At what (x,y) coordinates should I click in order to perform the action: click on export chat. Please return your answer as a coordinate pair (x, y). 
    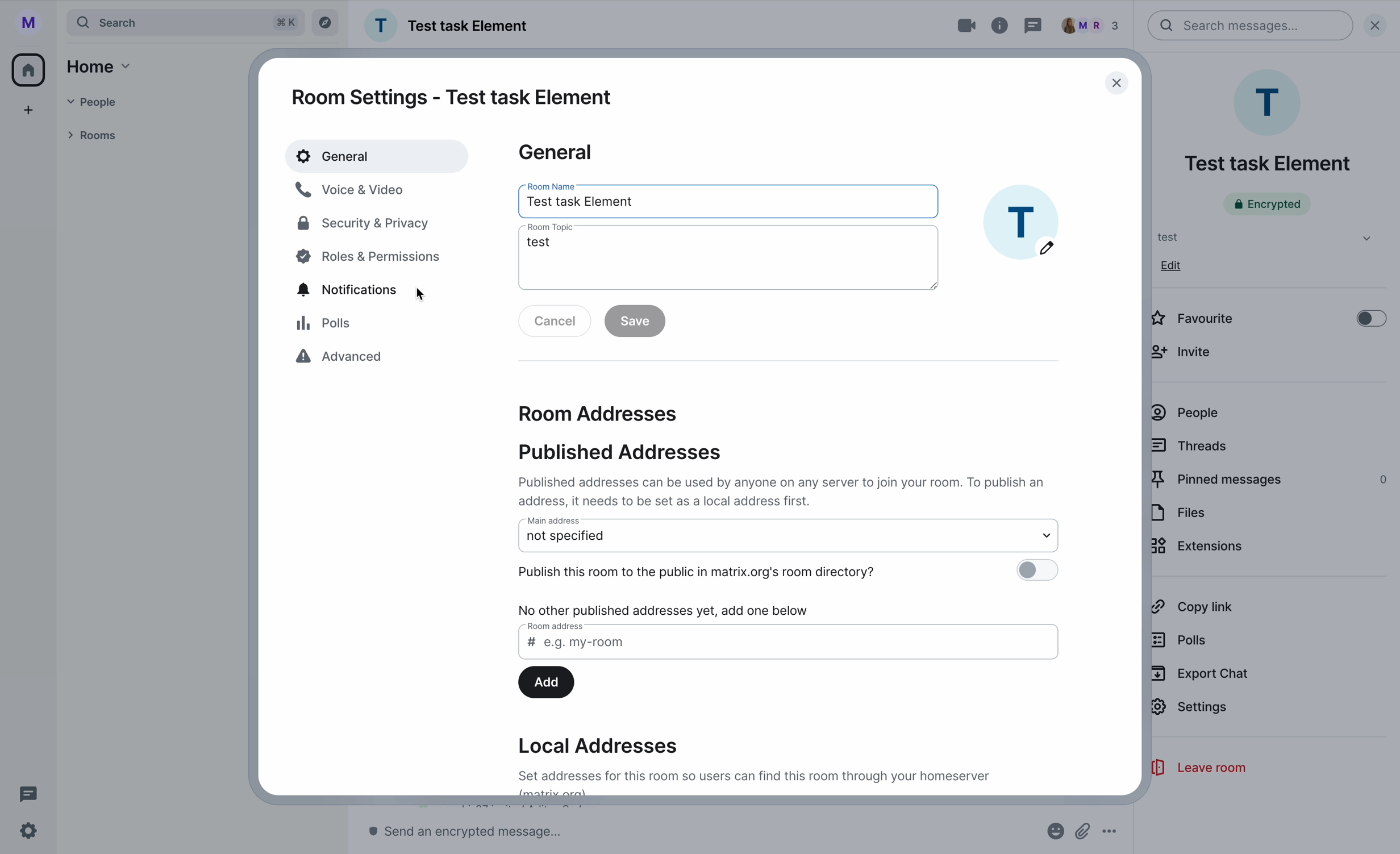
    Looking at the image, I should click on (1201, 674).